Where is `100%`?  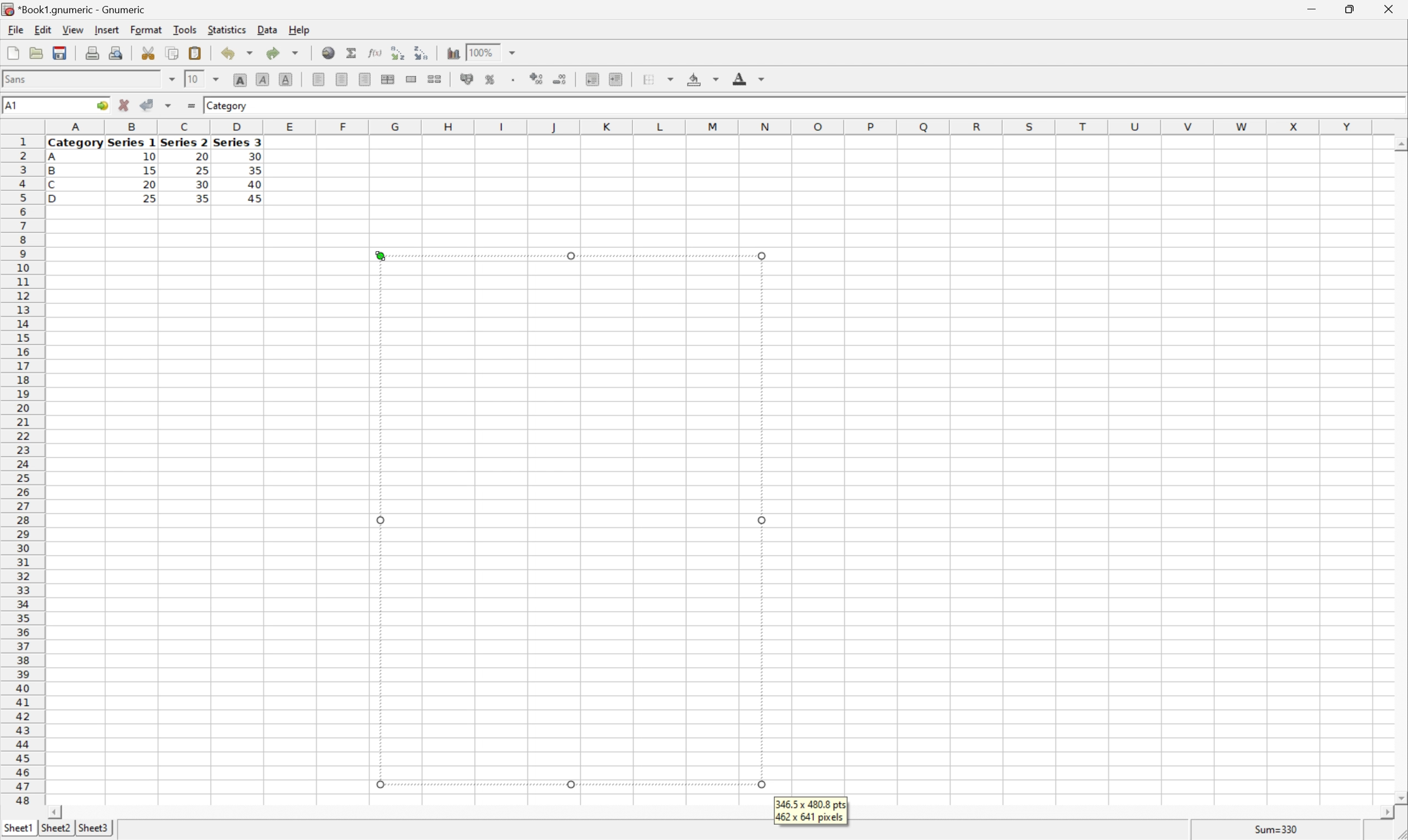
100% is located at coordinates (481, 55).